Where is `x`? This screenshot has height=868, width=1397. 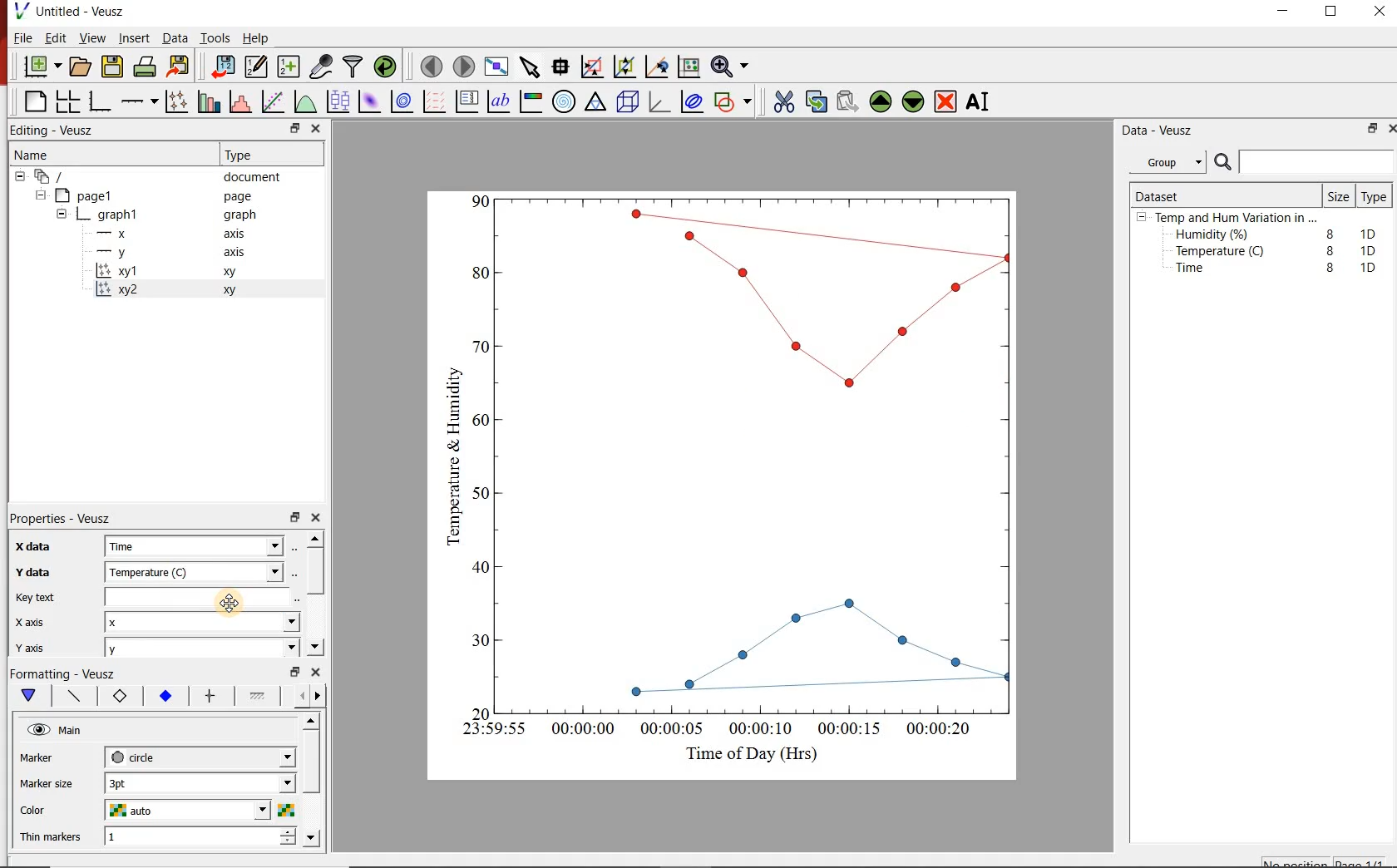
x is located at coordinates (120, 234).